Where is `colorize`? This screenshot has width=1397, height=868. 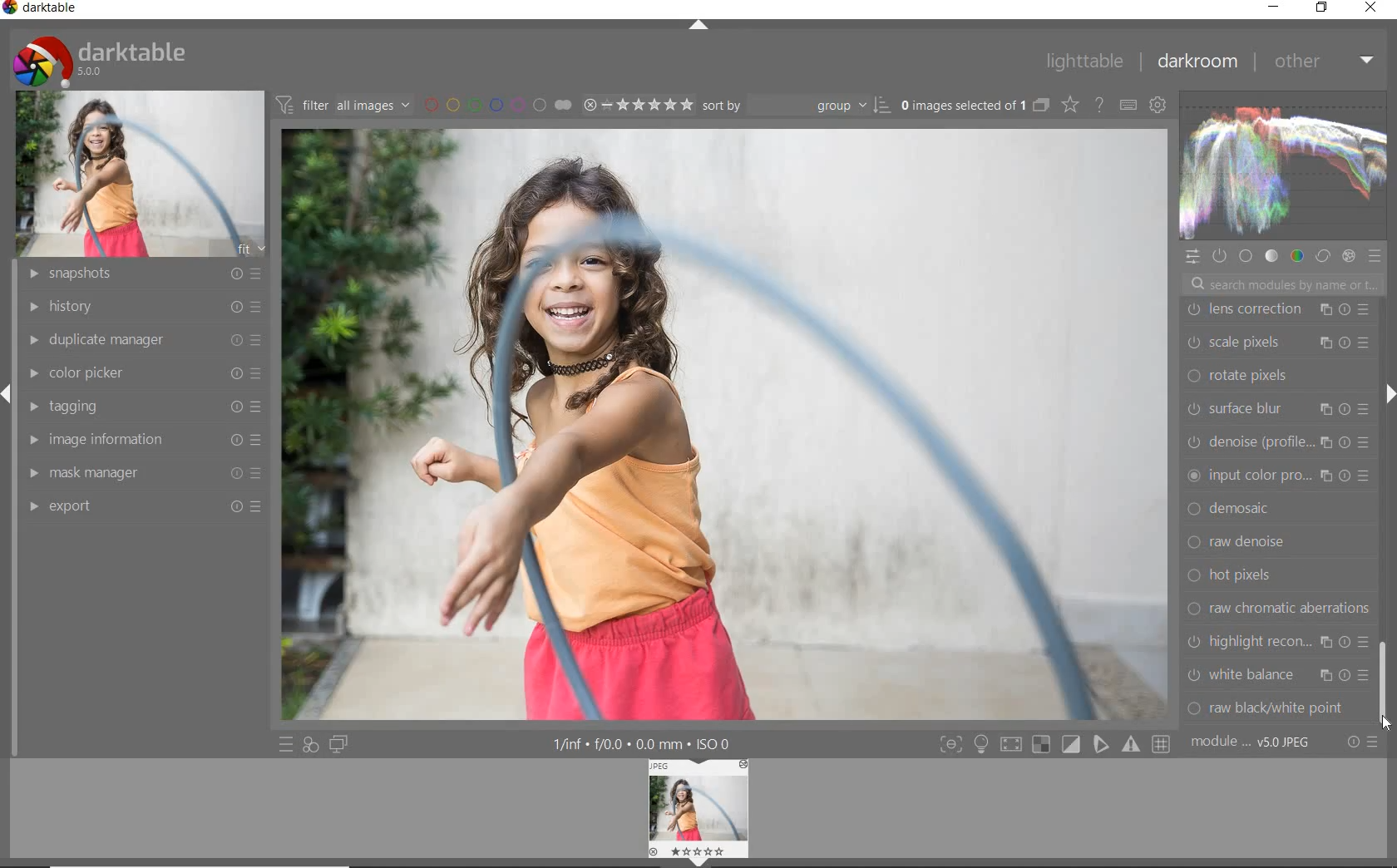
colorize is located at coordinates (1279, 681).